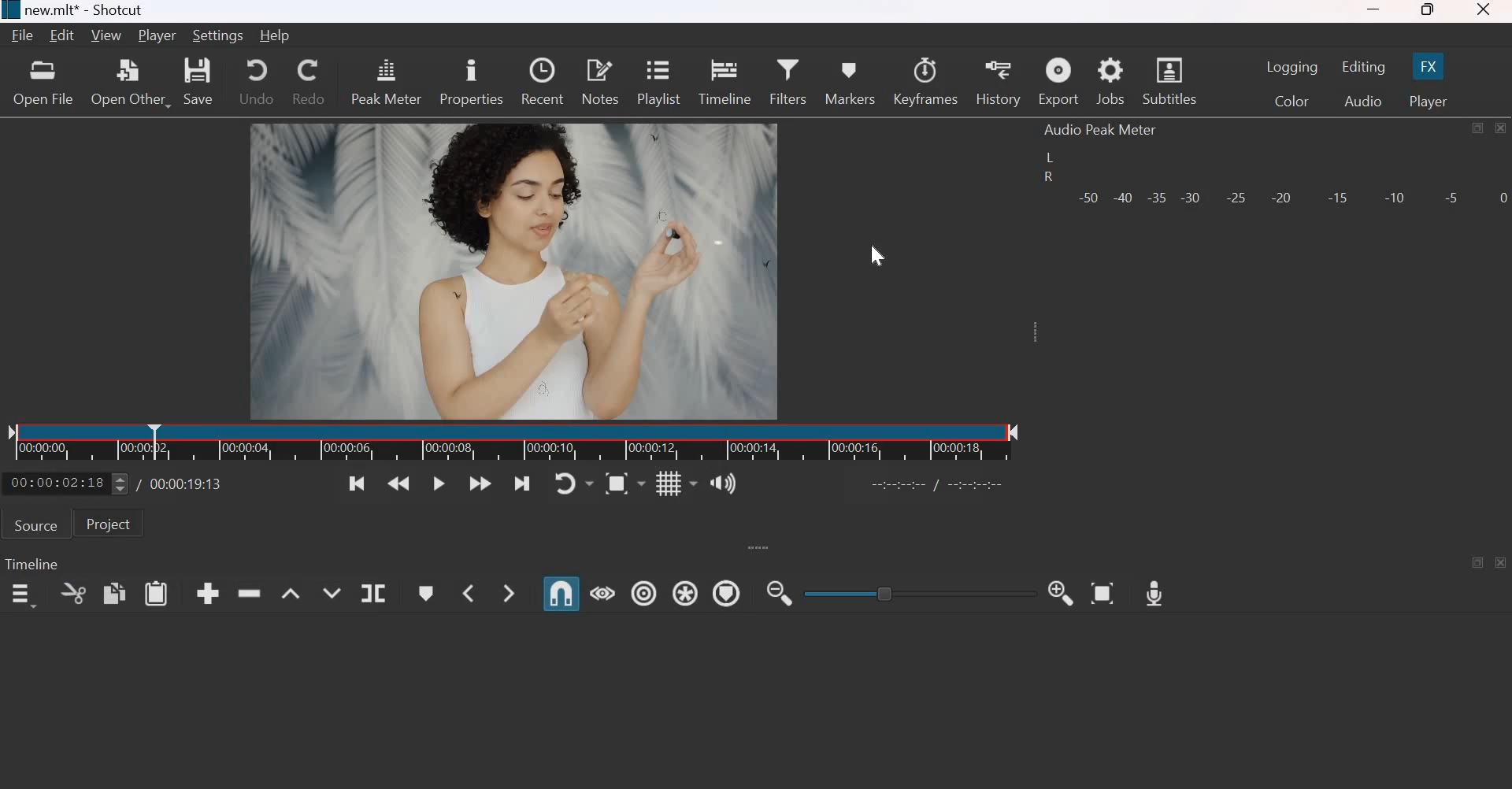 The image size is (1512, 789). I want to click on Minimize, so click(1377, 10).